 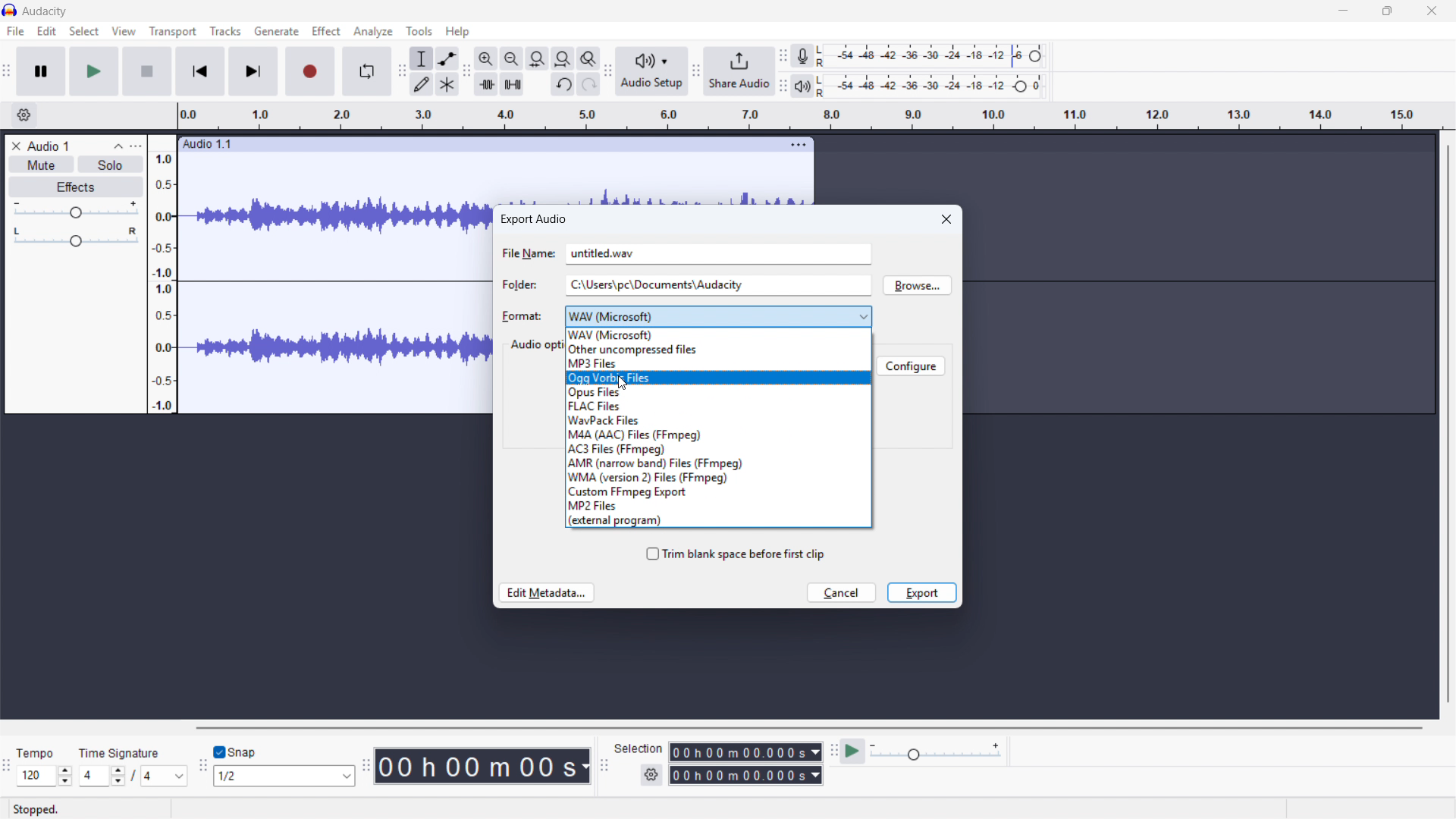 What do you see at coordinates (717, 435) in the screenshot?
I see `M4A ` at bounding box center [717, 435].